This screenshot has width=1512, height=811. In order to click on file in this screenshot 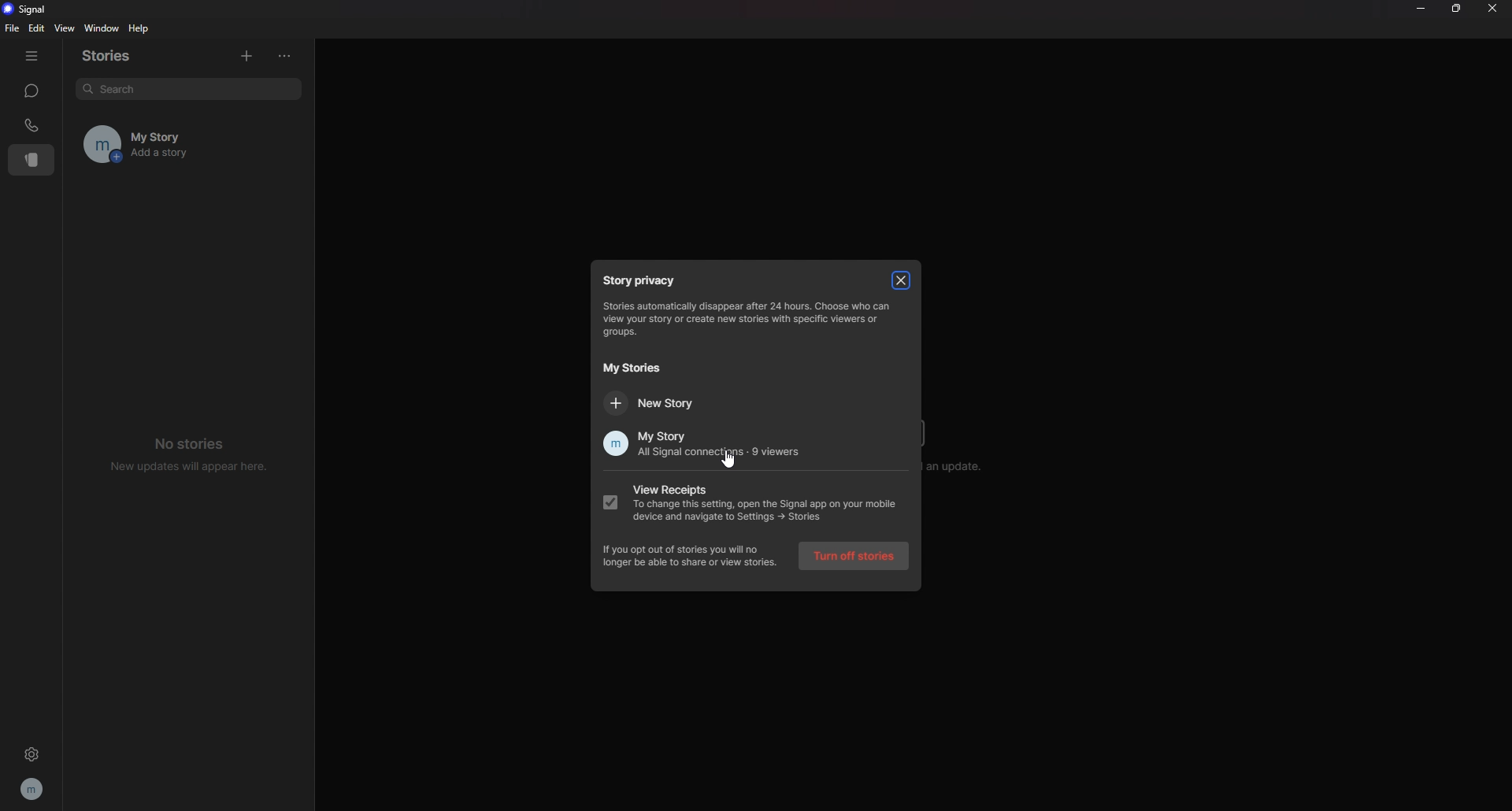, I will do `click(14, 28)`.